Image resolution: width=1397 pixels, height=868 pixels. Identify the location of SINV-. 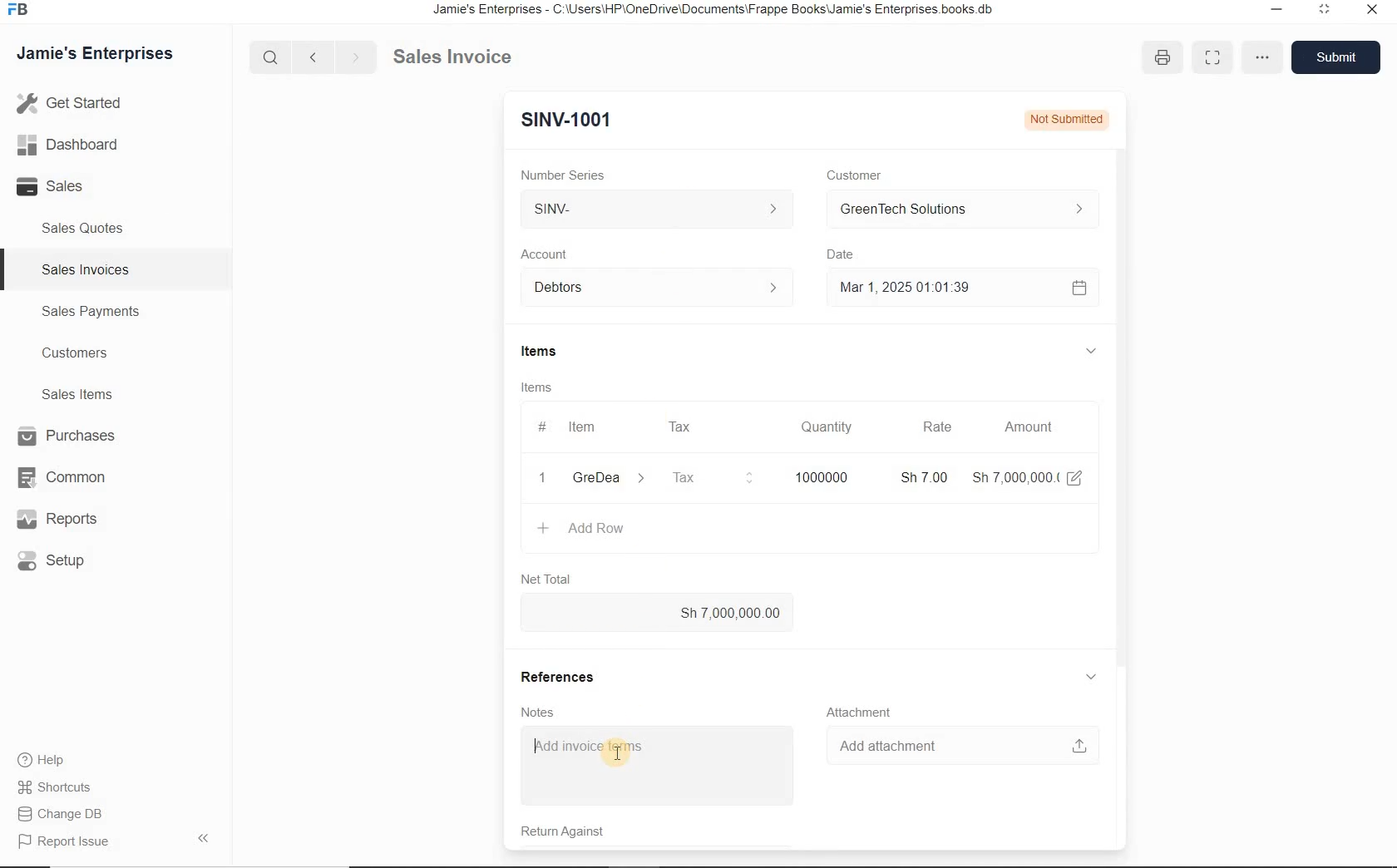
(660, 211).